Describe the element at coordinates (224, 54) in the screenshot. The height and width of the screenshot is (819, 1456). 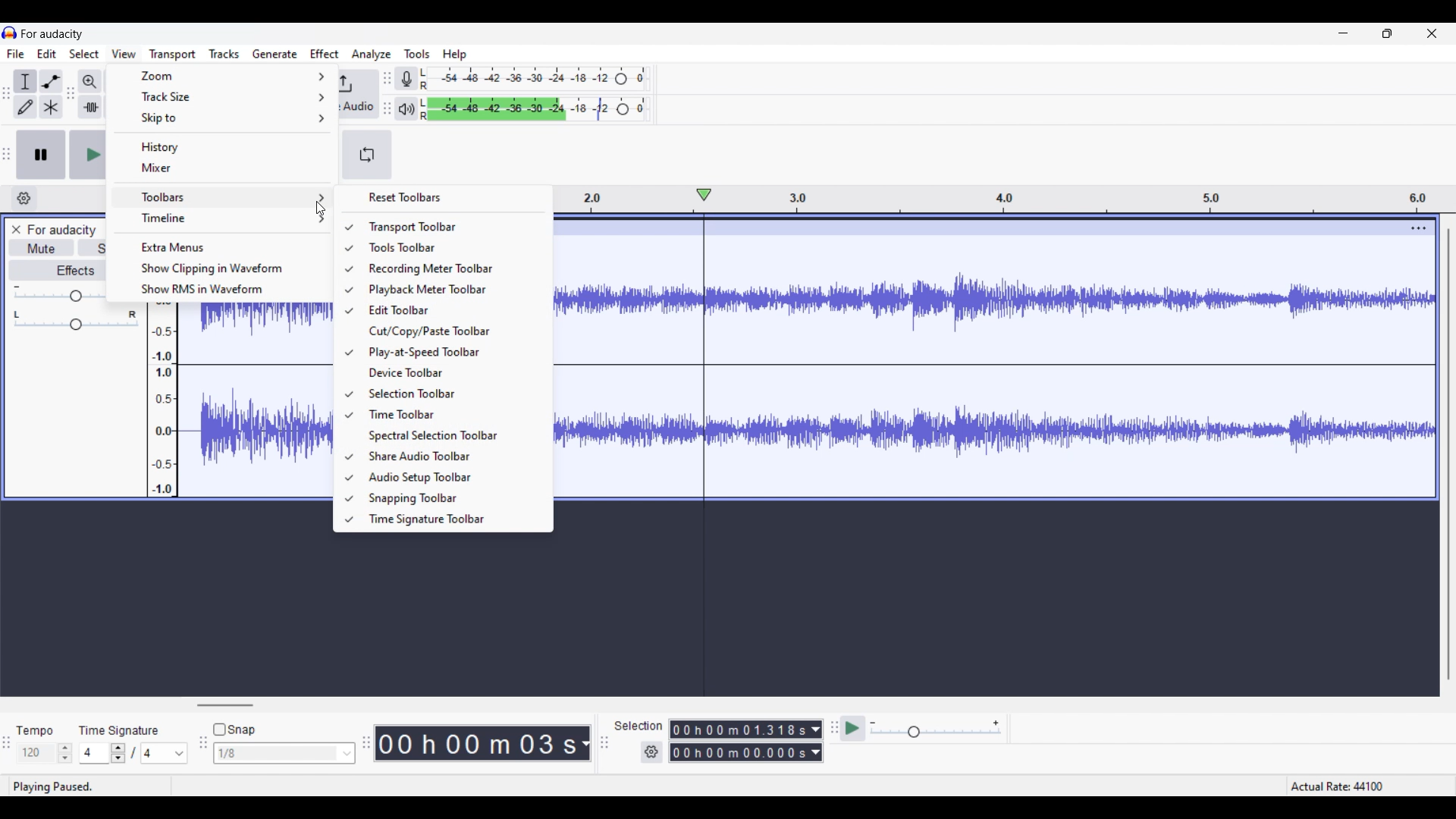
I see `Tracks menu` at that location.